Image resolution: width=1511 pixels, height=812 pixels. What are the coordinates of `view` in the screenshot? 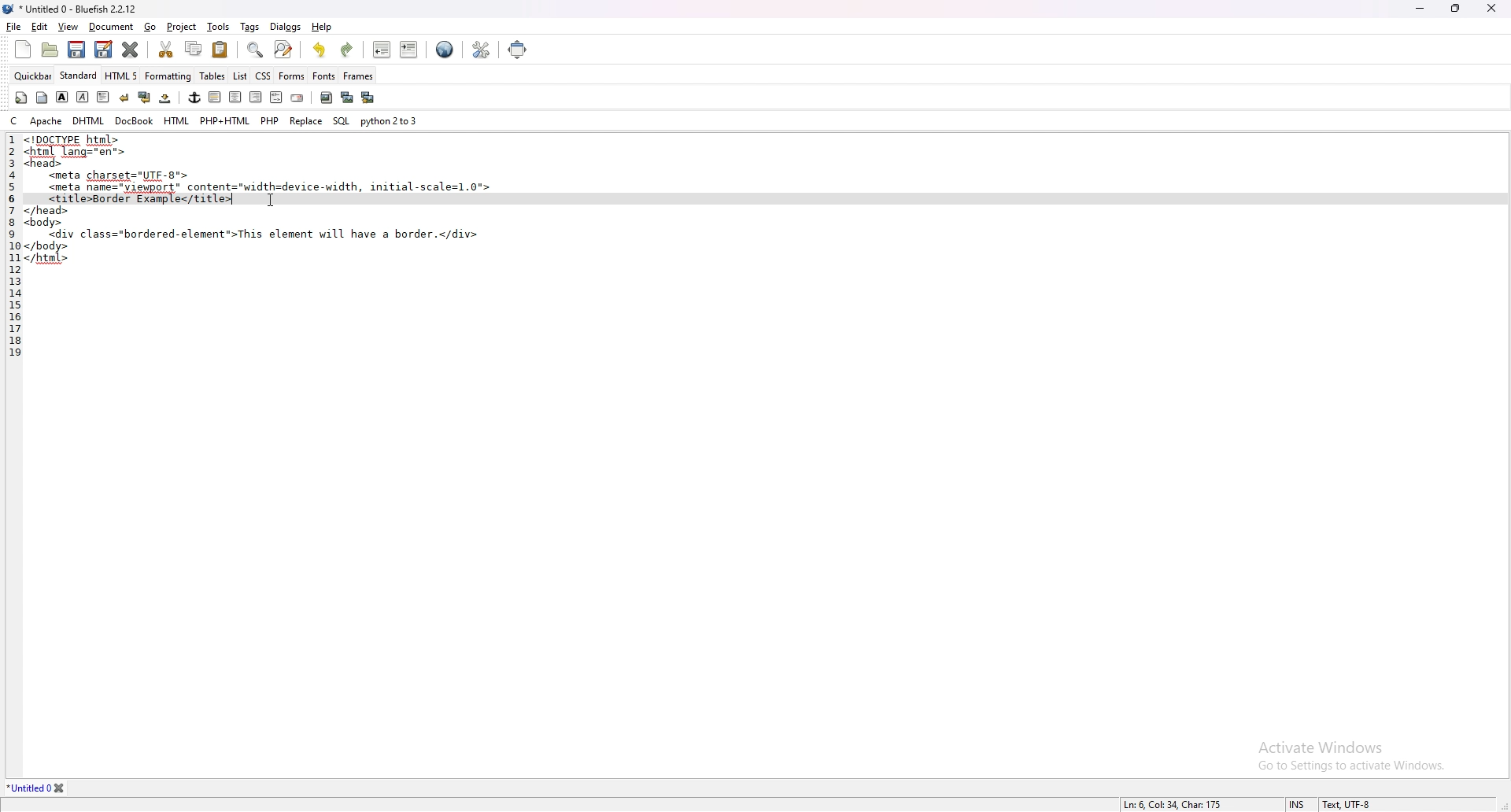 It's located at (68, 27).